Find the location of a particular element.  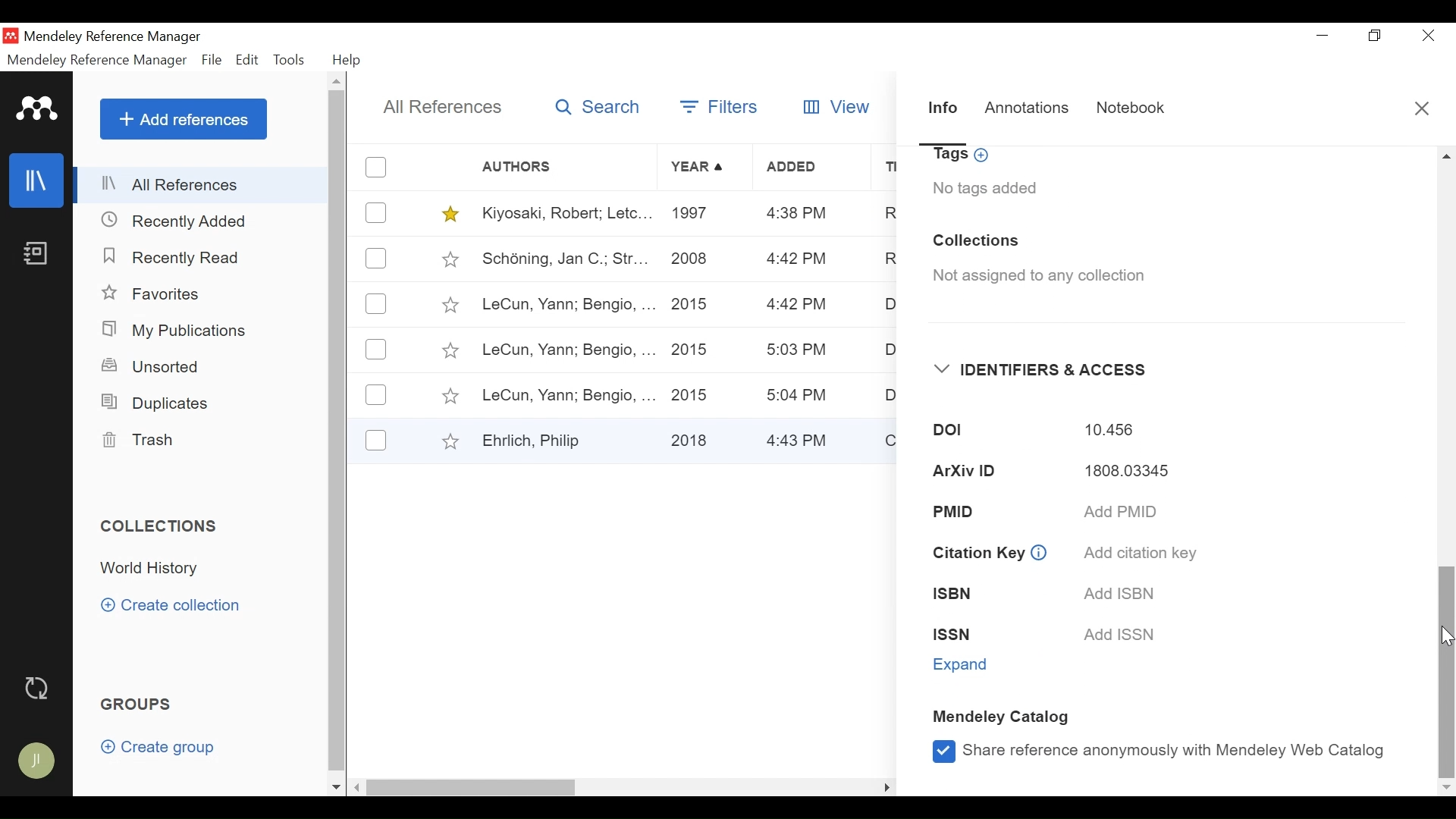

Citation Key is located at coordinates (977, 554).